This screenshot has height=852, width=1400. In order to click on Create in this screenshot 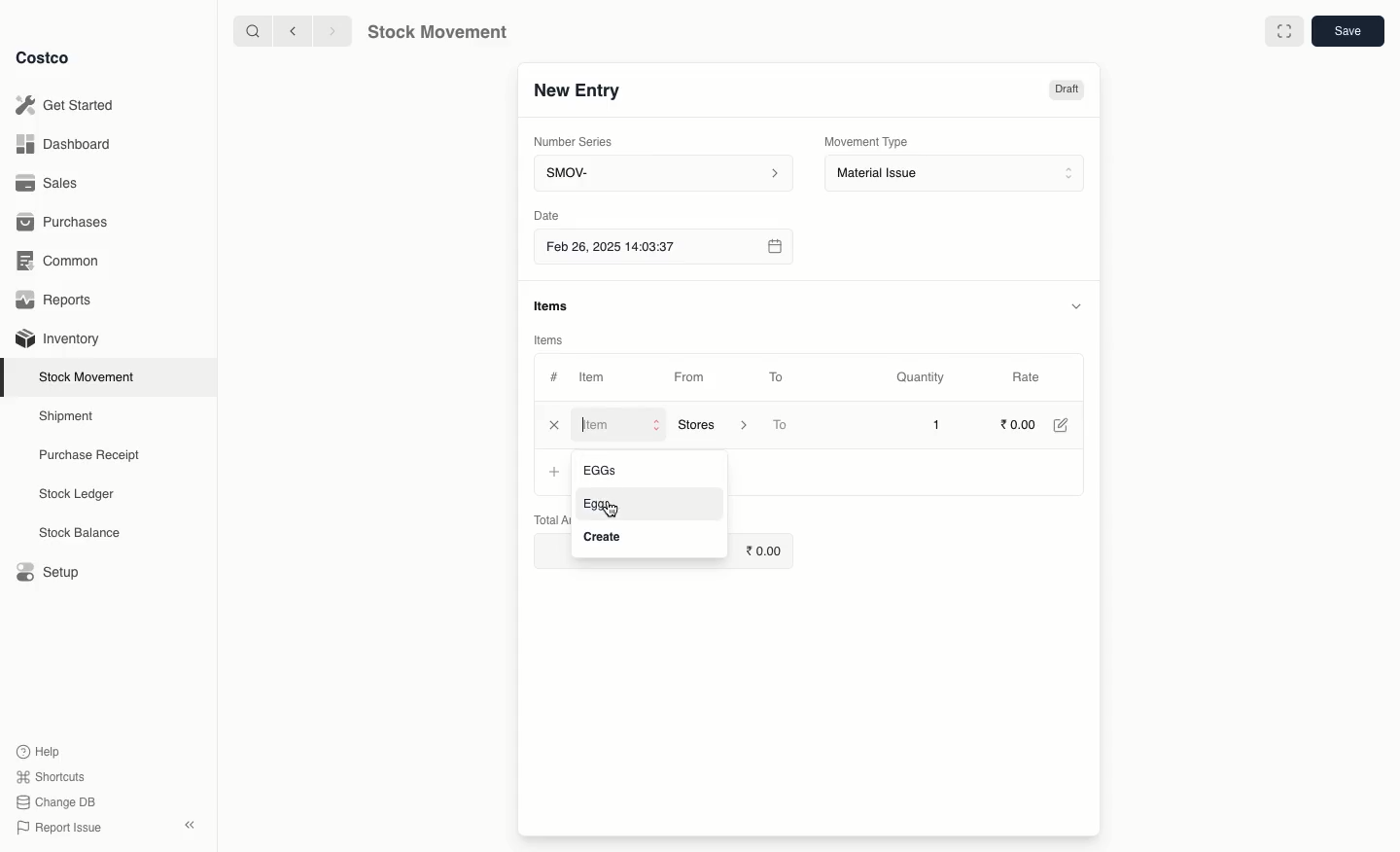, I will do `click(604, 538)`.